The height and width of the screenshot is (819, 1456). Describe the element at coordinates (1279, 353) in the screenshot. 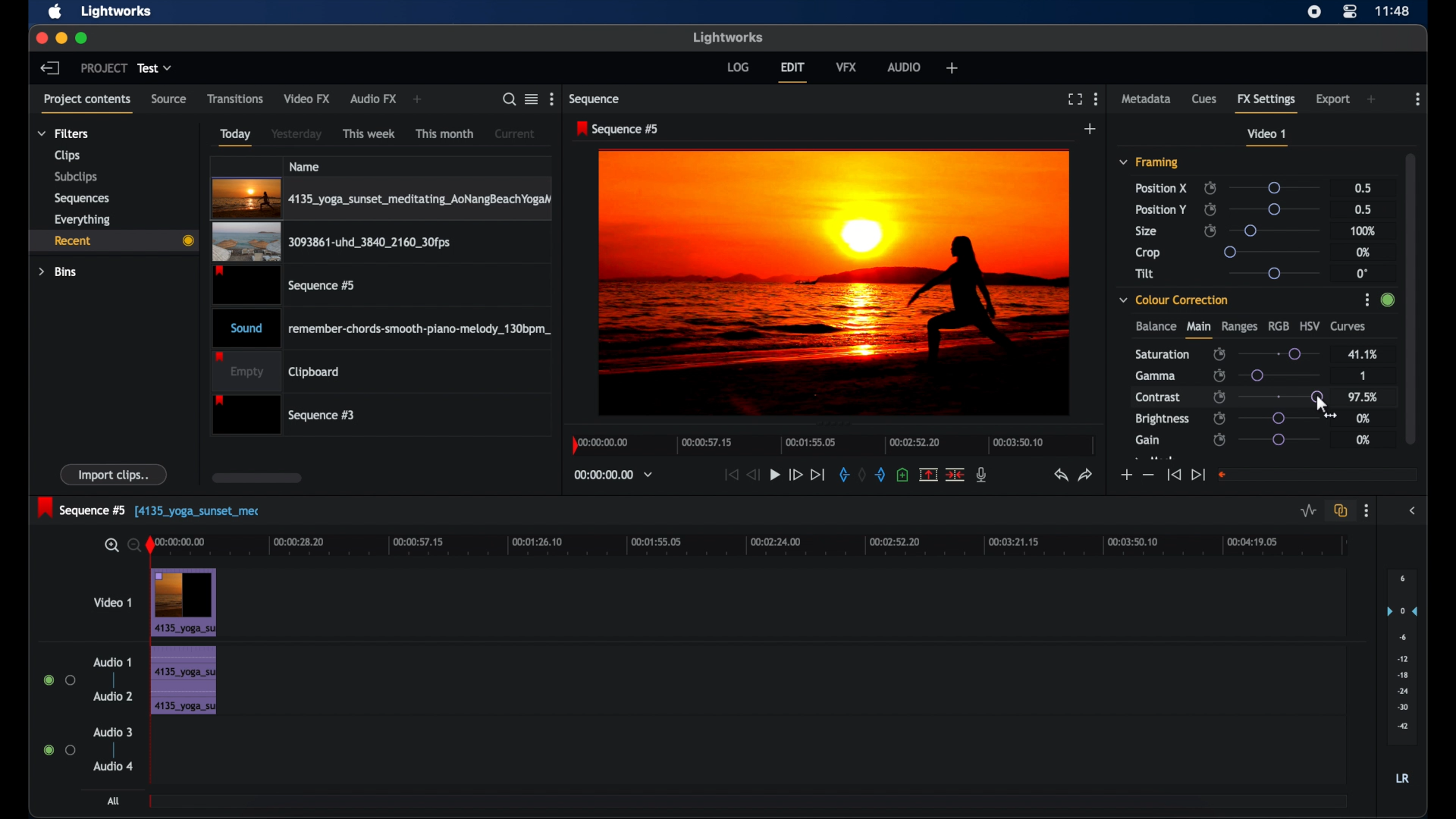

I see `slider` at that location.